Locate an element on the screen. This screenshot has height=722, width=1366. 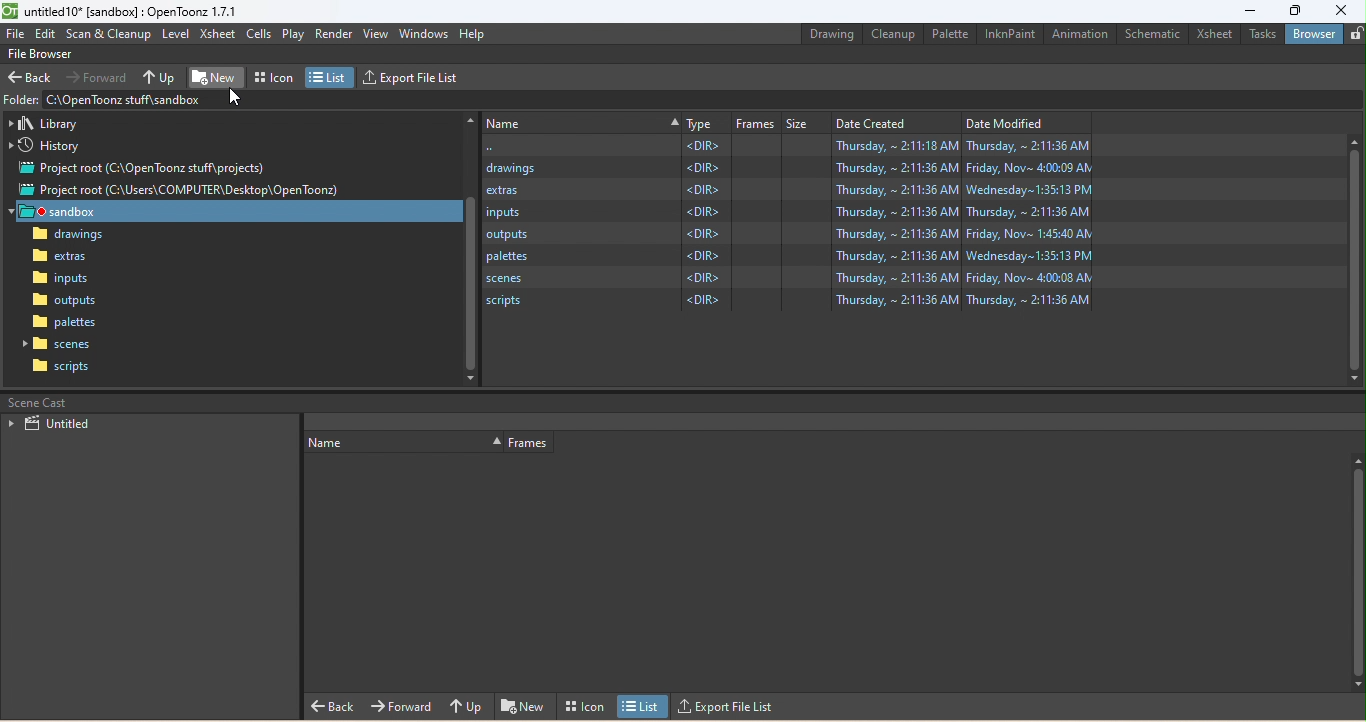
scenes is located at coordinates (787, 280).